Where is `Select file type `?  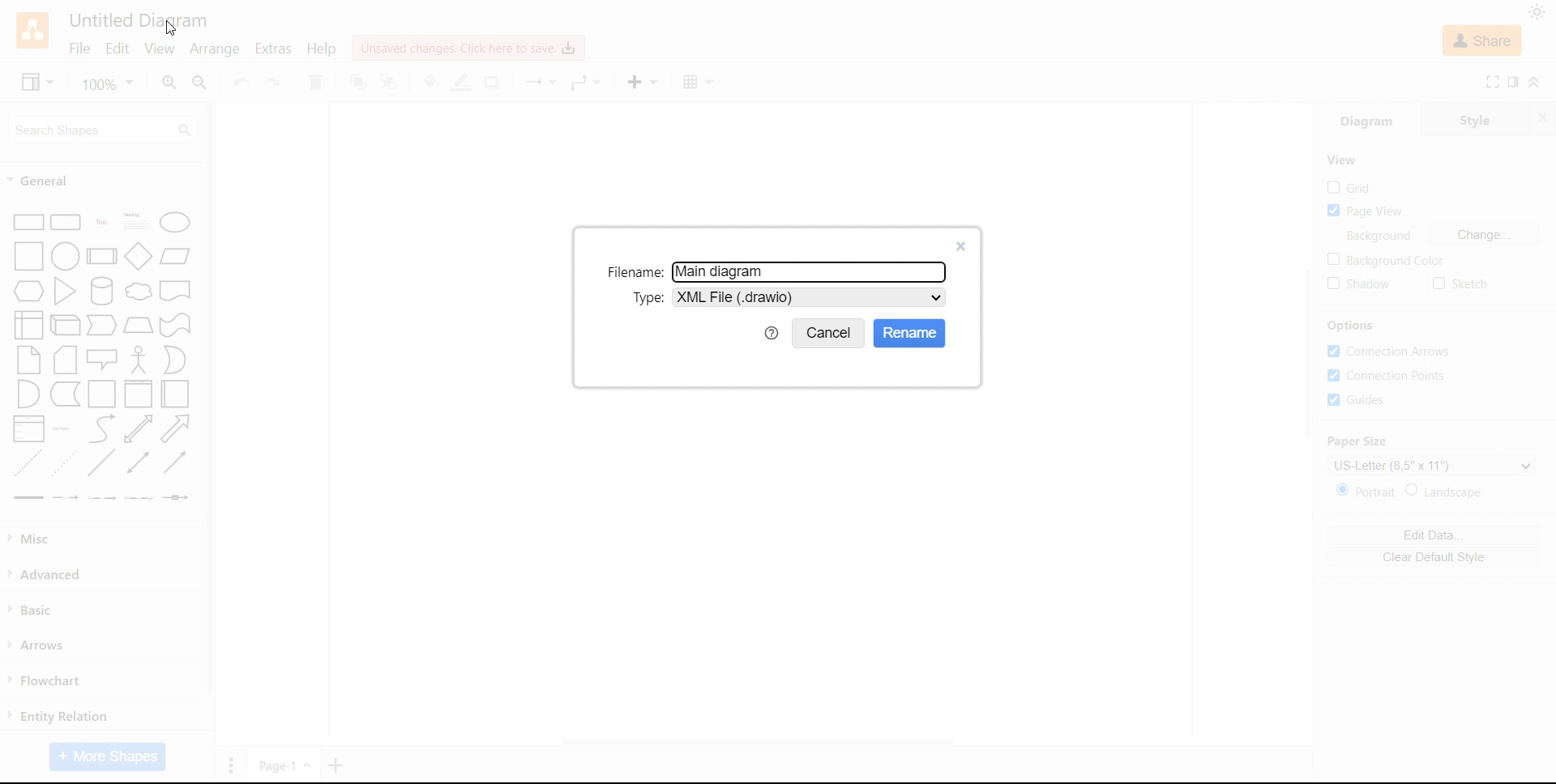
Select file type  is located at coordinates (810, 297).